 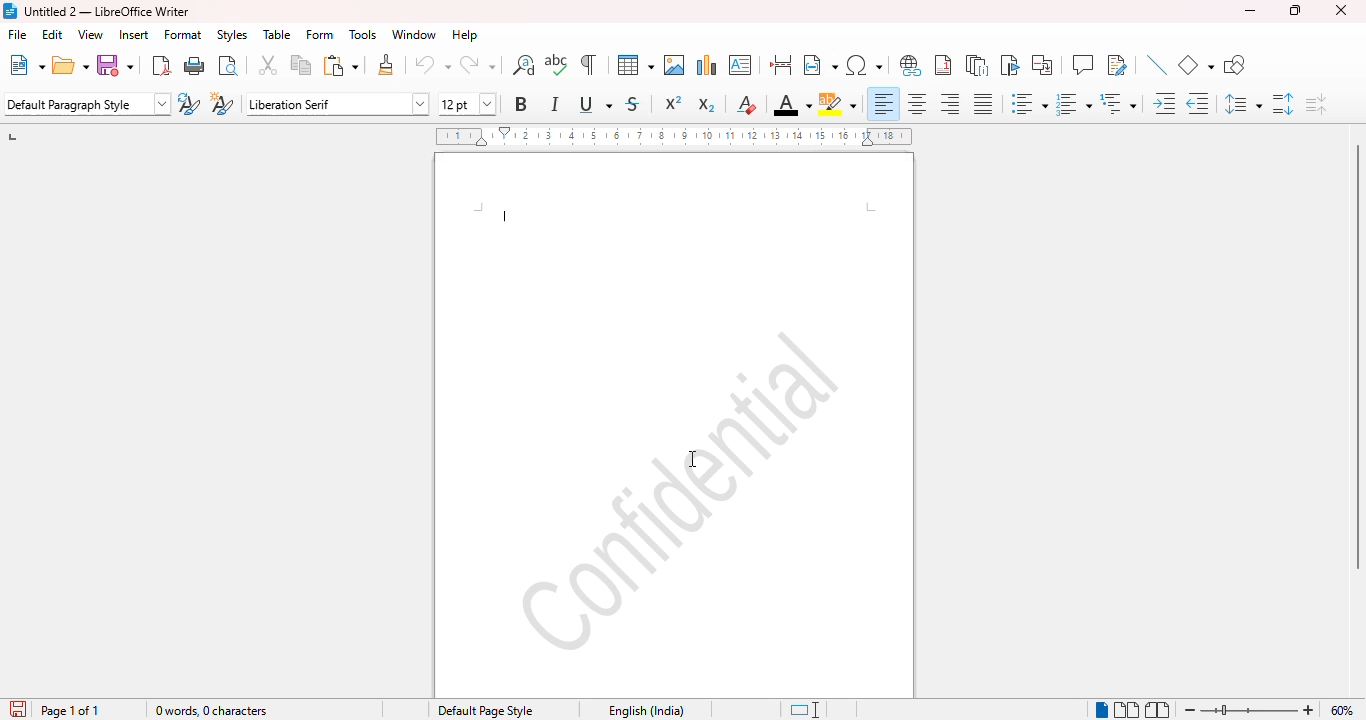 What do you see at coordinates (486, 710) in the screenshot?
I see `default page style` at bounding box center [486, 710].